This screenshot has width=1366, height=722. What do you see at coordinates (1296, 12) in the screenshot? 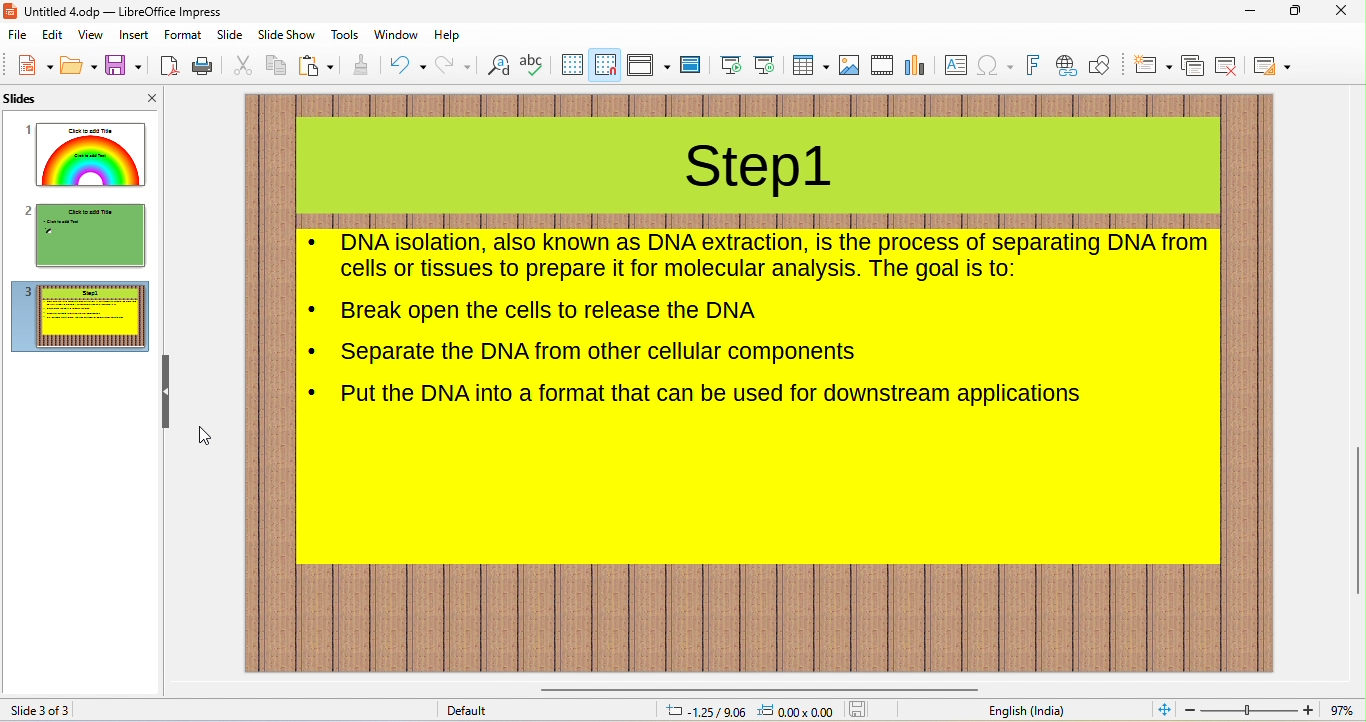
I see `maximize` at bounding box center [1296, 12].